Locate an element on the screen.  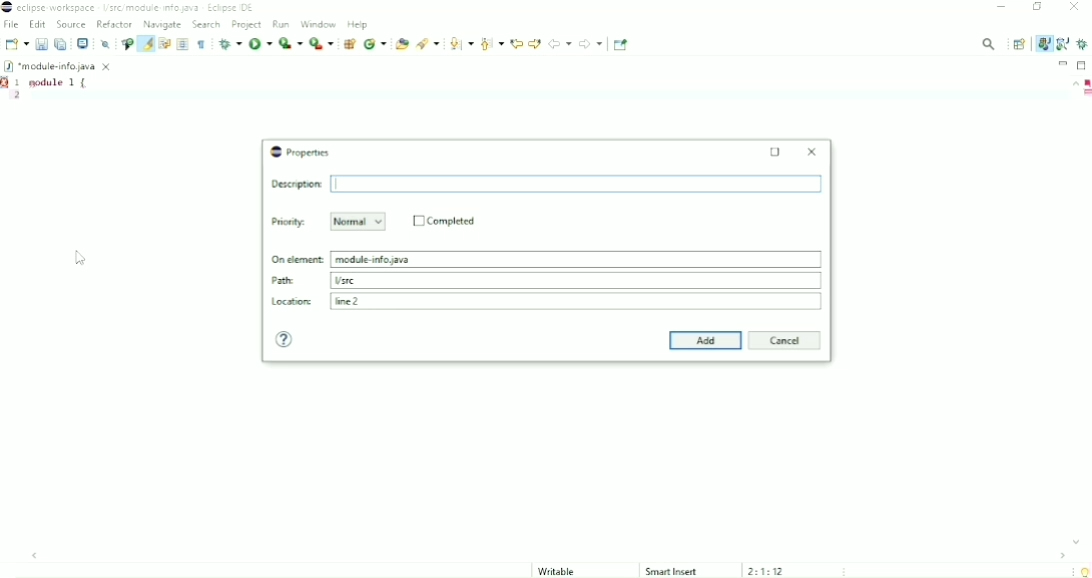
Next annotation is located at coordinates (460, 44).